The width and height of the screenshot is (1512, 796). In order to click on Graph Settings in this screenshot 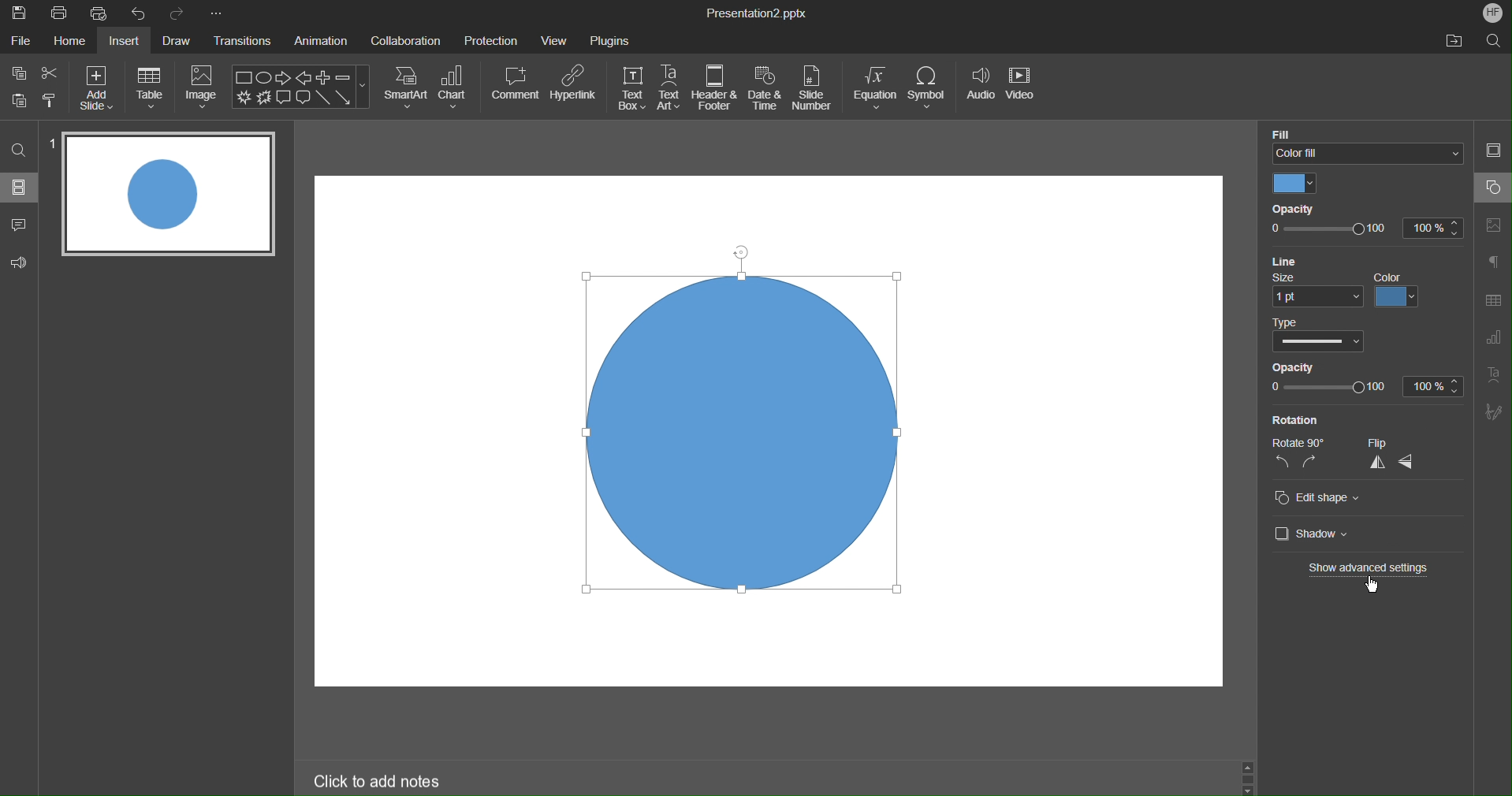, I will do `click(1490, 340)`.